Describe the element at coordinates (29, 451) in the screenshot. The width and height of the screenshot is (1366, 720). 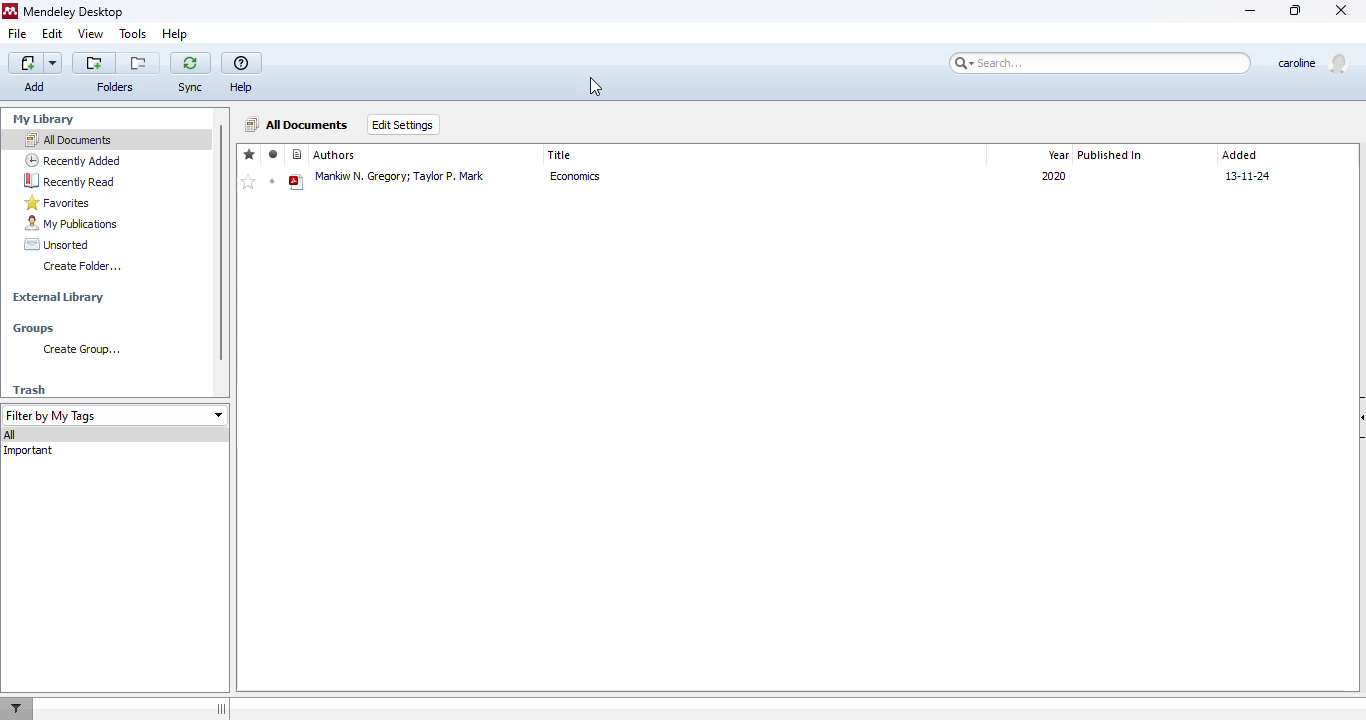
I see `important` at that location.